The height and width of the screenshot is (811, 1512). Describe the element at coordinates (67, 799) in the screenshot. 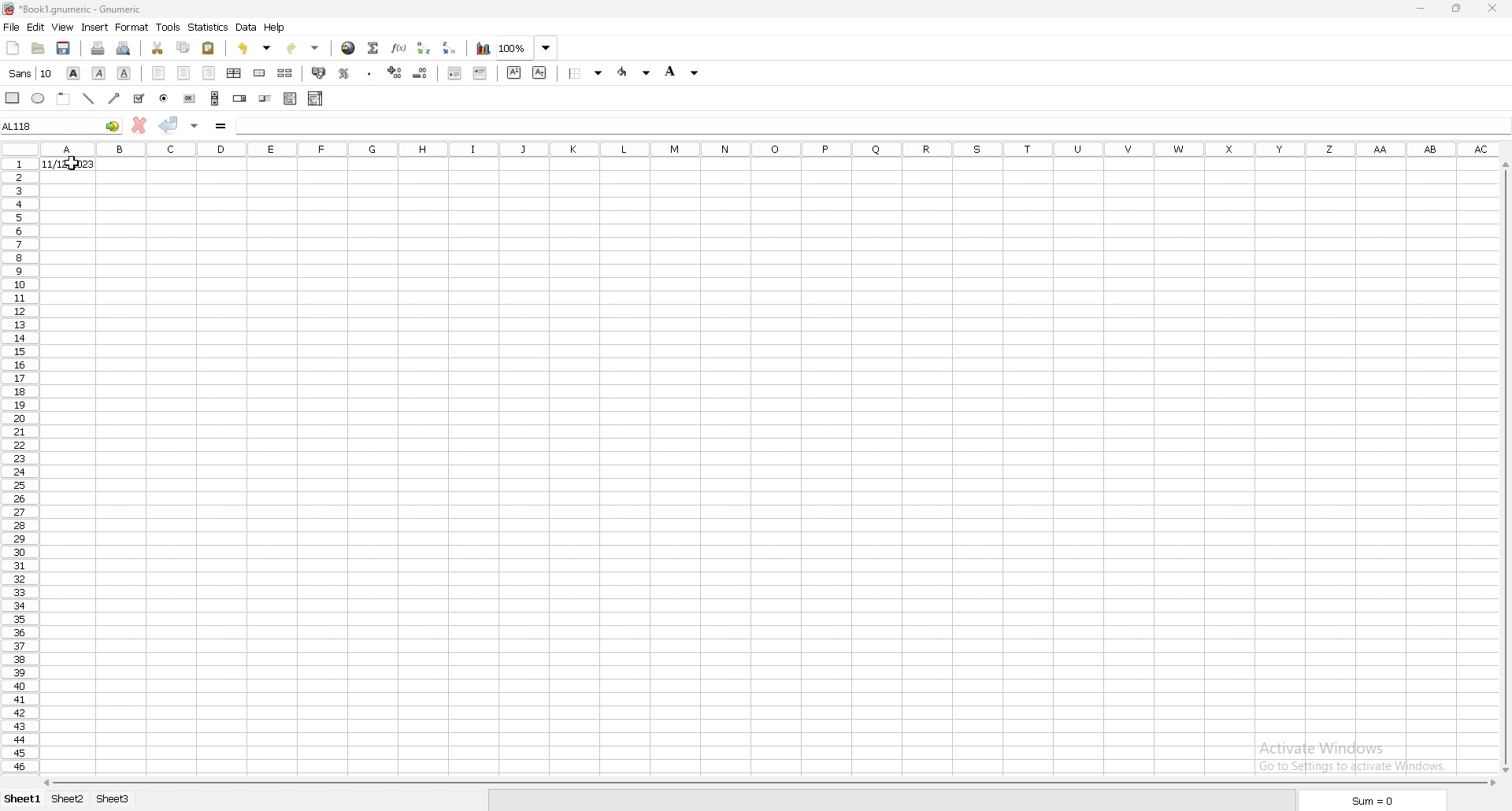

I see `sheet 2` at that location.